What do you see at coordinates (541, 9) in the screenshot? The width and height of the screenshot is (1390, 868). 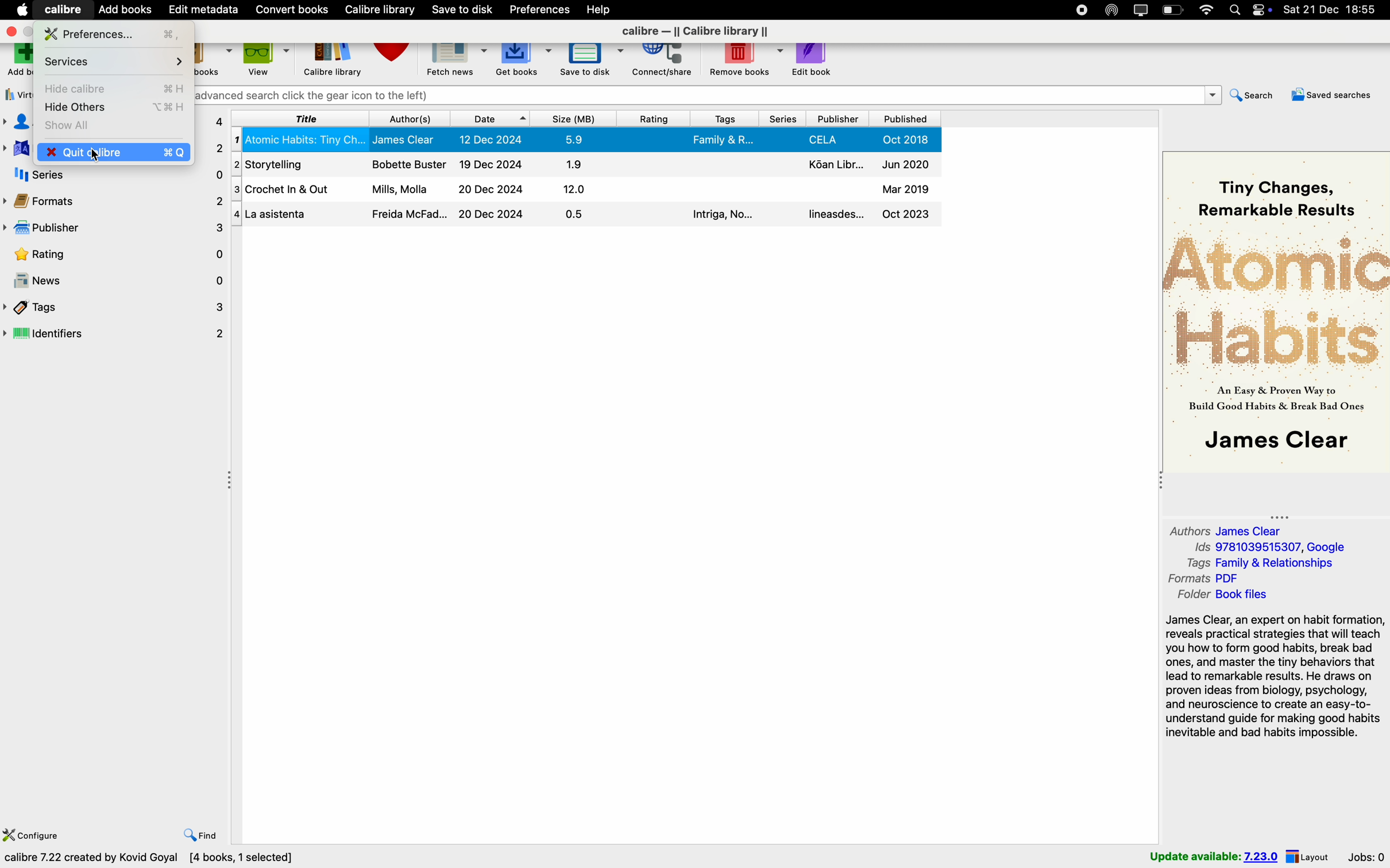 I see `preferences` at bounding box center [541, 9].